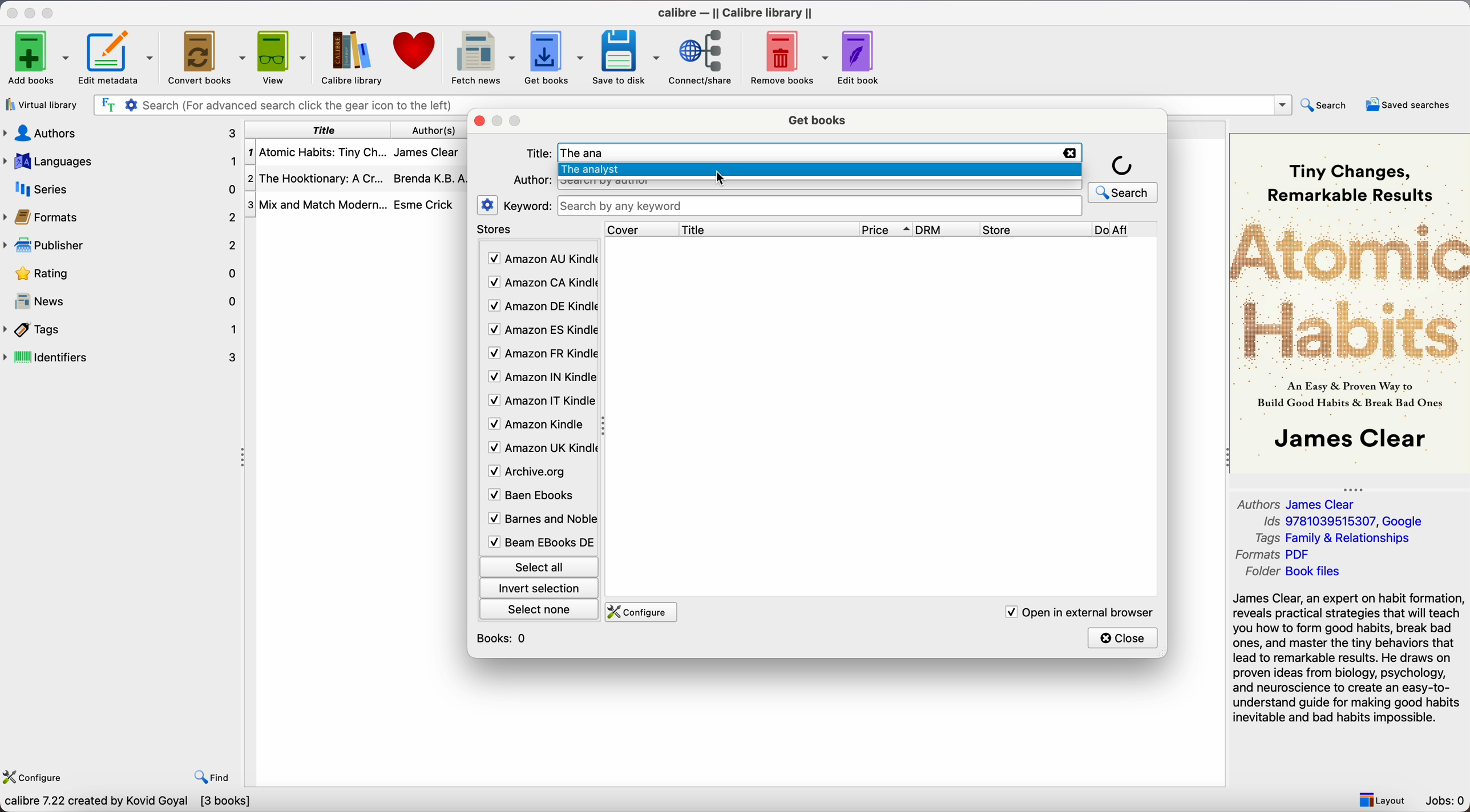 This screenshot has height=812, width=1470. I want to click on Beam Ebooks DE, so click(539, 542).